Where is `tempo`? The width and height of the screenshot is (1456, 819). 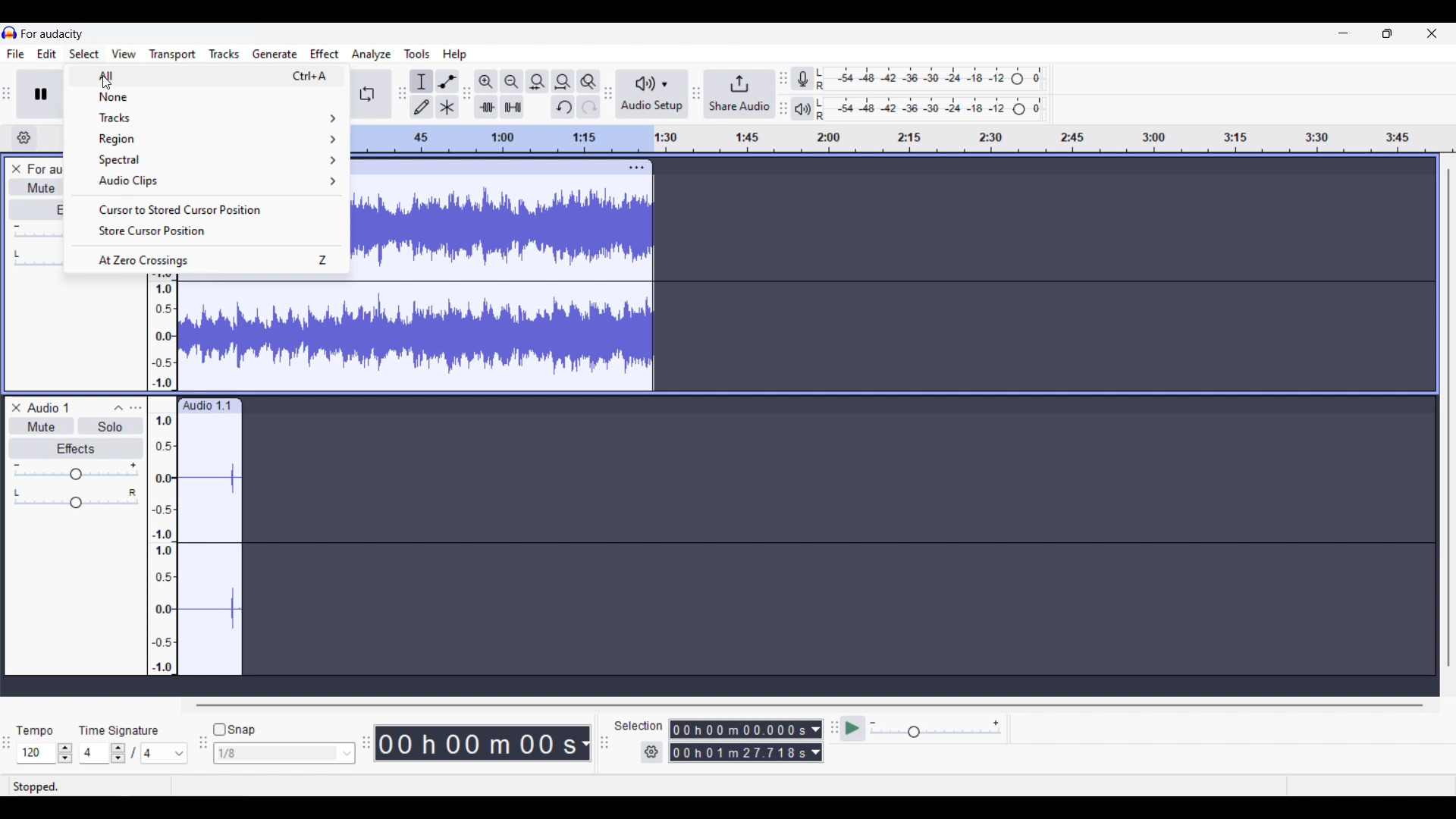 tempo is located at coordinates (36, 730).